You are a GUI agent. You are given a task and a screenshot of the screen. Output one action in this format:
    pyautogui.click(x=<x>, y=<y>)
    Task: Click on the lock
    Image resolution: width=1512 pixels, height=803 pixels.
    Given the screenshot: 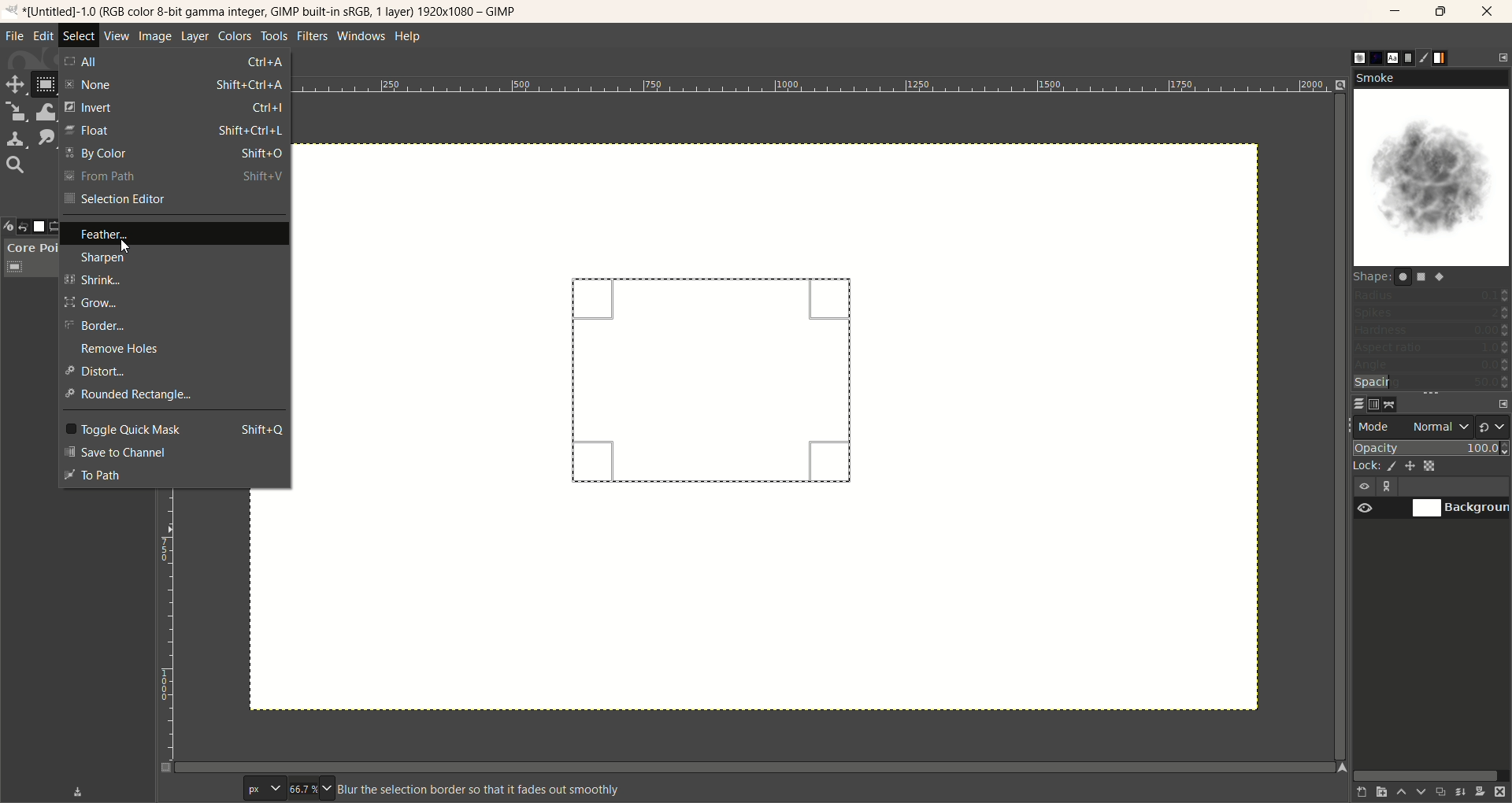 What is the action you would take?
    pyautogui.click(x=1366, y=464)
    